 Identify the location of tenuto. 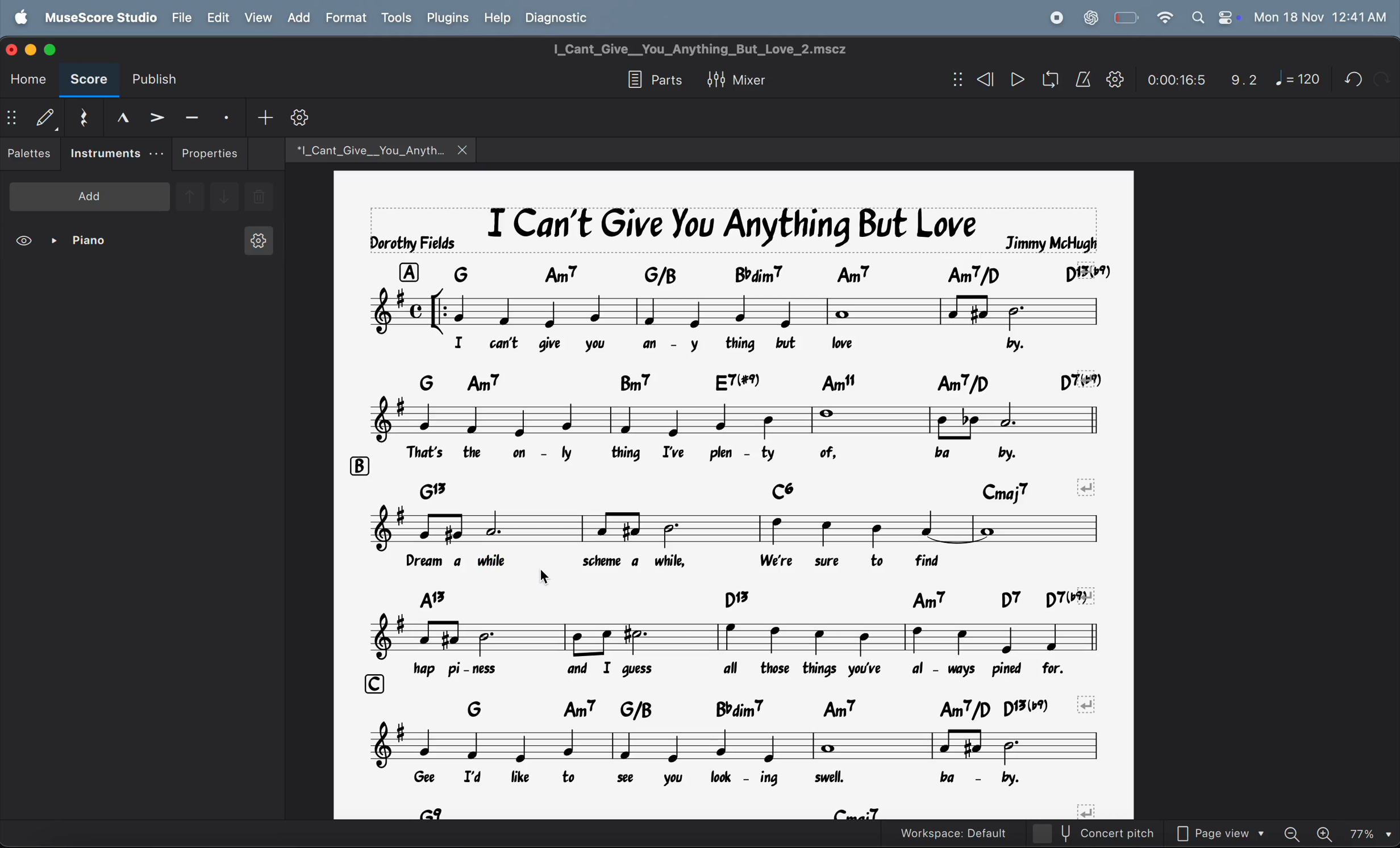
(188, 115).